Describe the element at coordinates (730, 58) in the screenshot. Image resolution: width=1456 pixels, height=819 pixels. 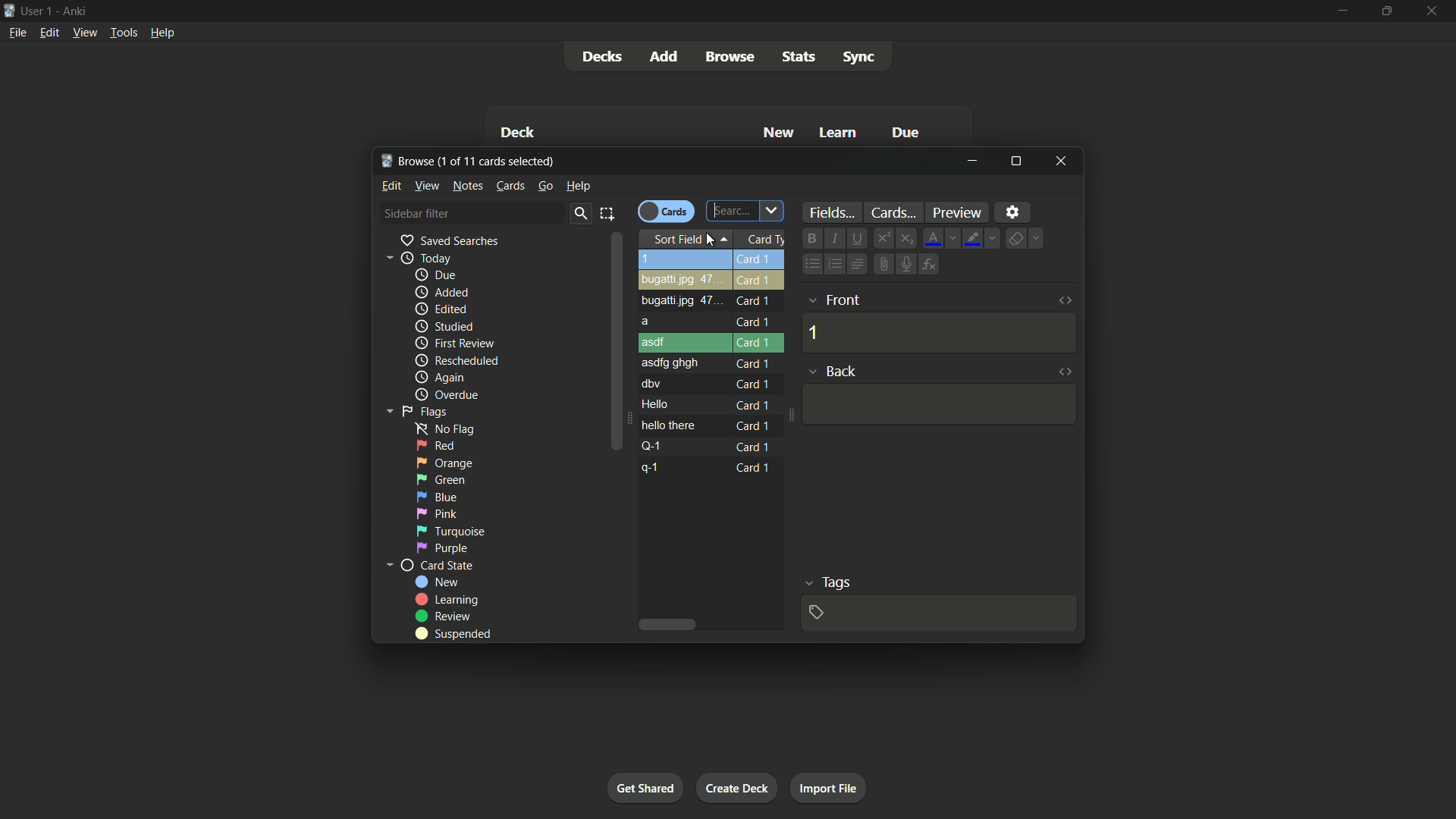
I see `browse` at that location.